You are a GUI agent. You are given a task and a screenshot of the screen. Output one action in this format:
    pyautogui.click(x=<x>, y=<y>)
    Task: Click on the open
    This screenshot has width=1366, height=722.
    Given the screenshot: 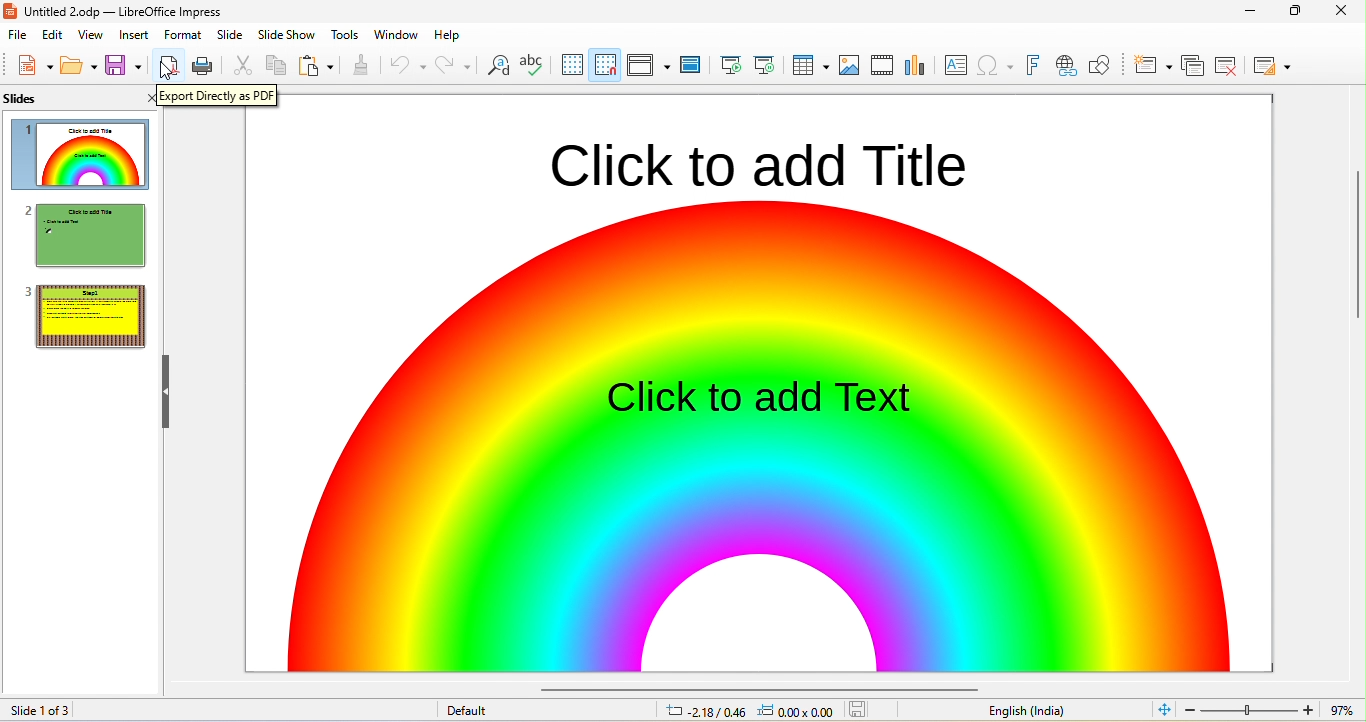 What is the action you would take?
    pyautogui.click(x=79, y=64)
    